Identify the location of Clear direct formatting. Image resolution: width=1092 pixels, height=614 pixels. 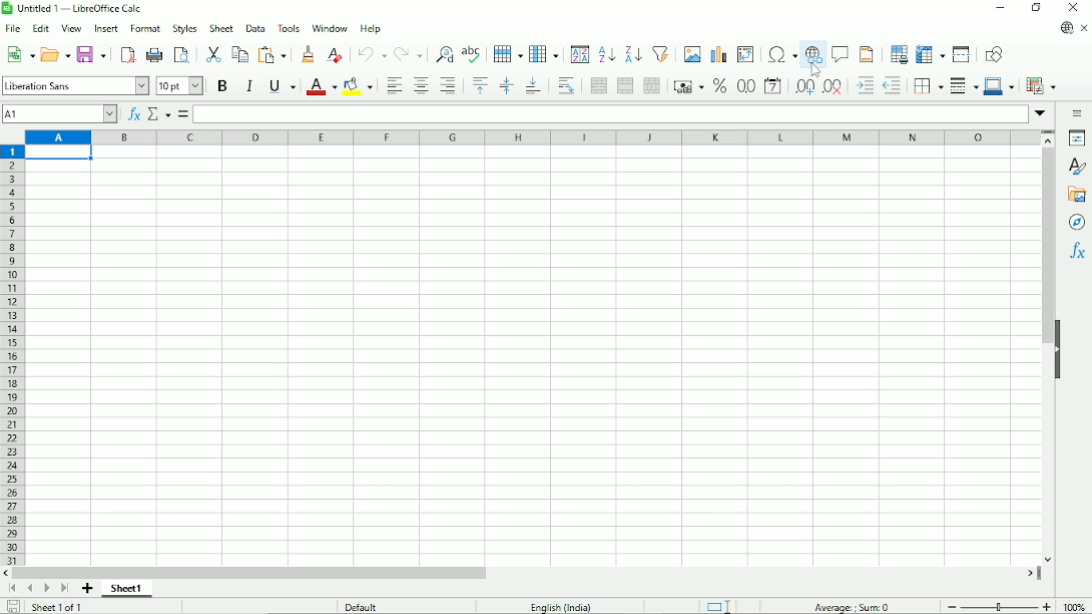
(334, 55).